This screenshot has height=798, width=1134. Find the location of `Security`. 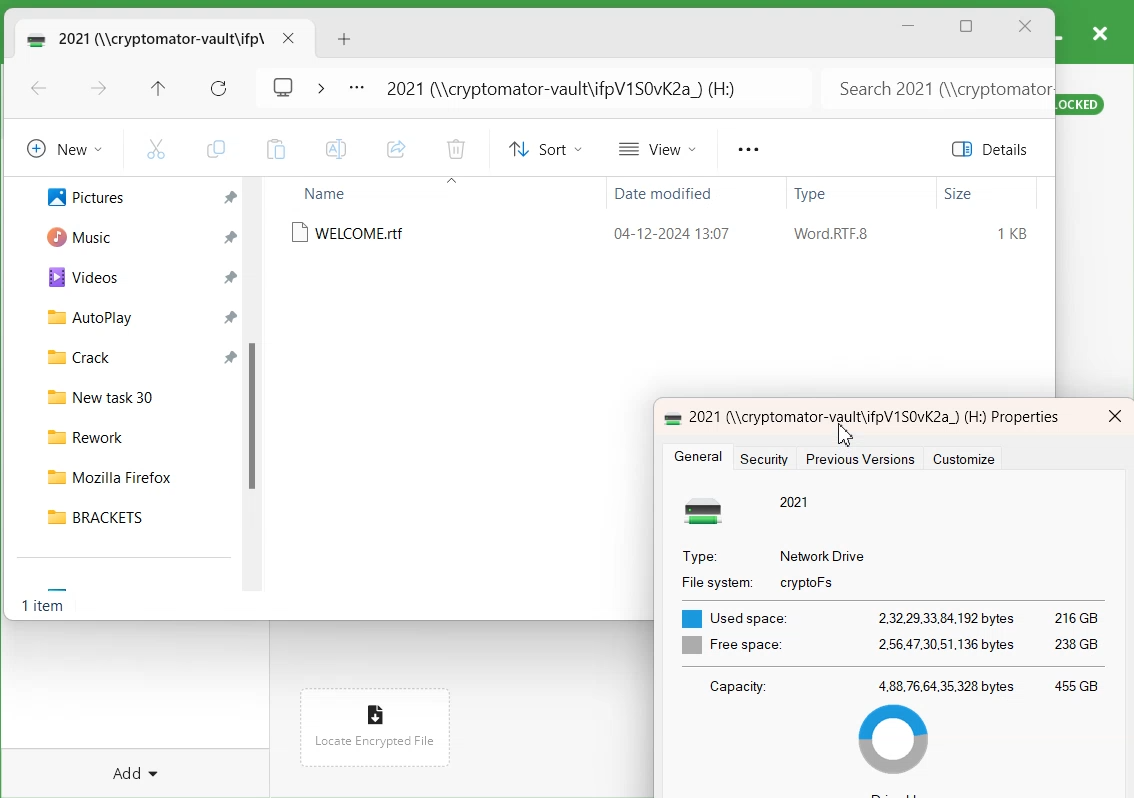

Security is located at coordinates (769, 459).